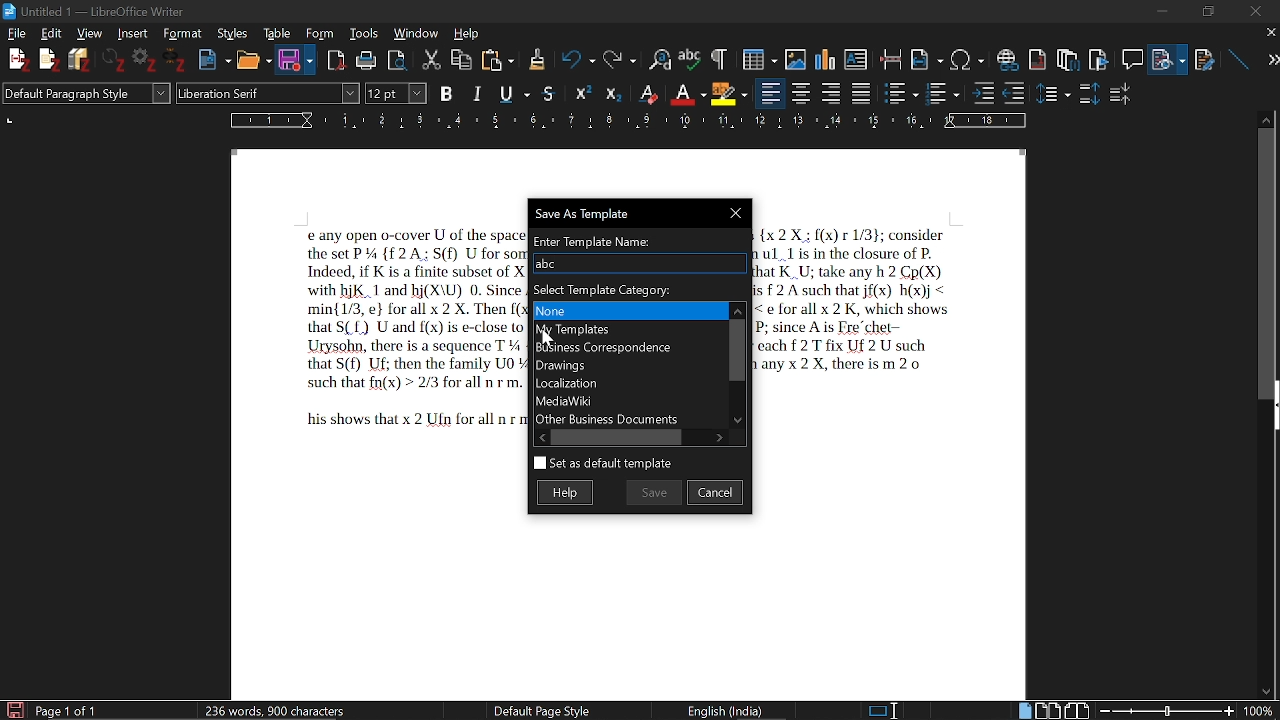 This screenshot has height=720, width=1280. What do you see at coordinates (1205, 55) in the screenshot?
I see `Insert cross reference` at bounding box center [1205, 55].